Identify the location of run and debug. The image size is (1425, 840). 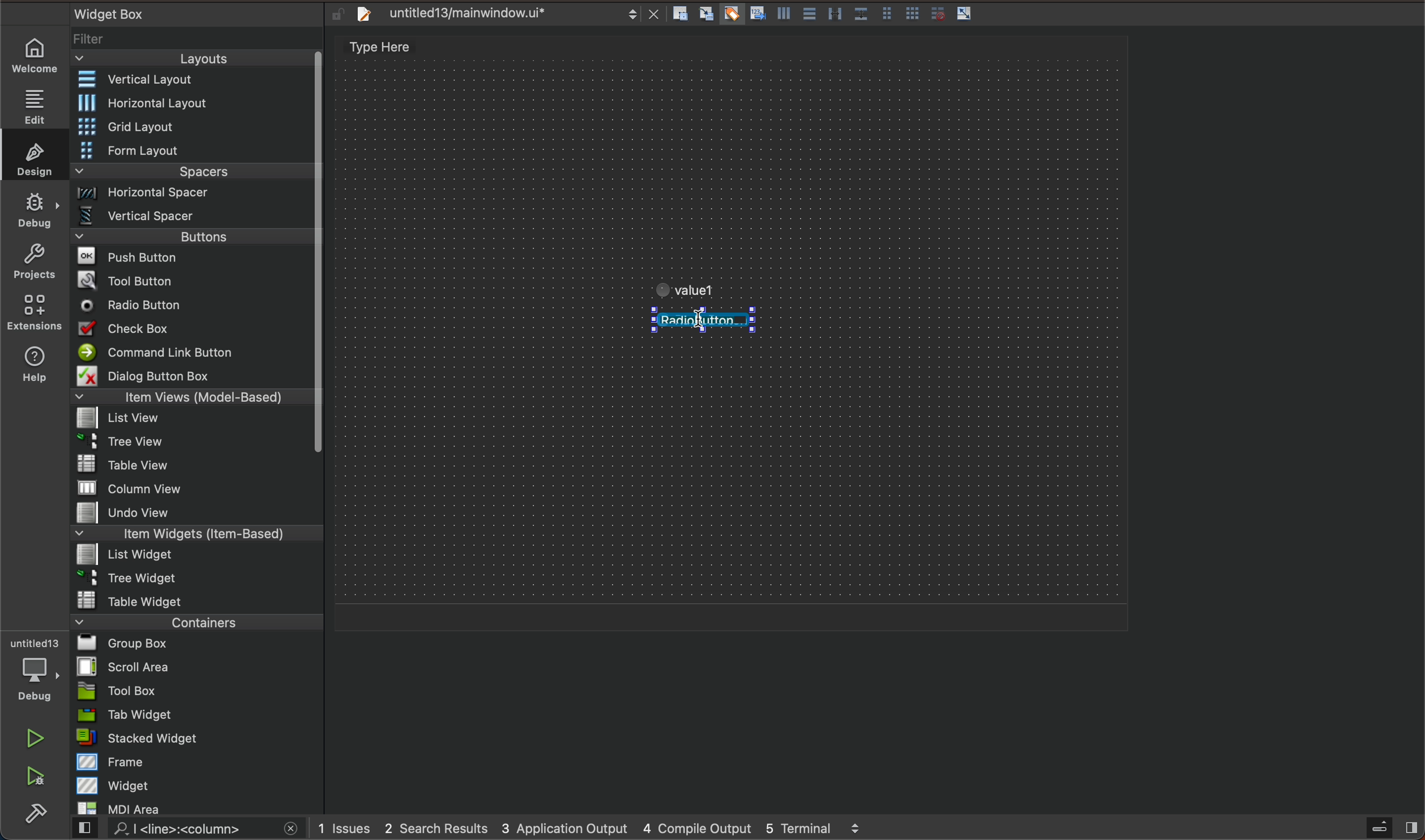
(37, 778).